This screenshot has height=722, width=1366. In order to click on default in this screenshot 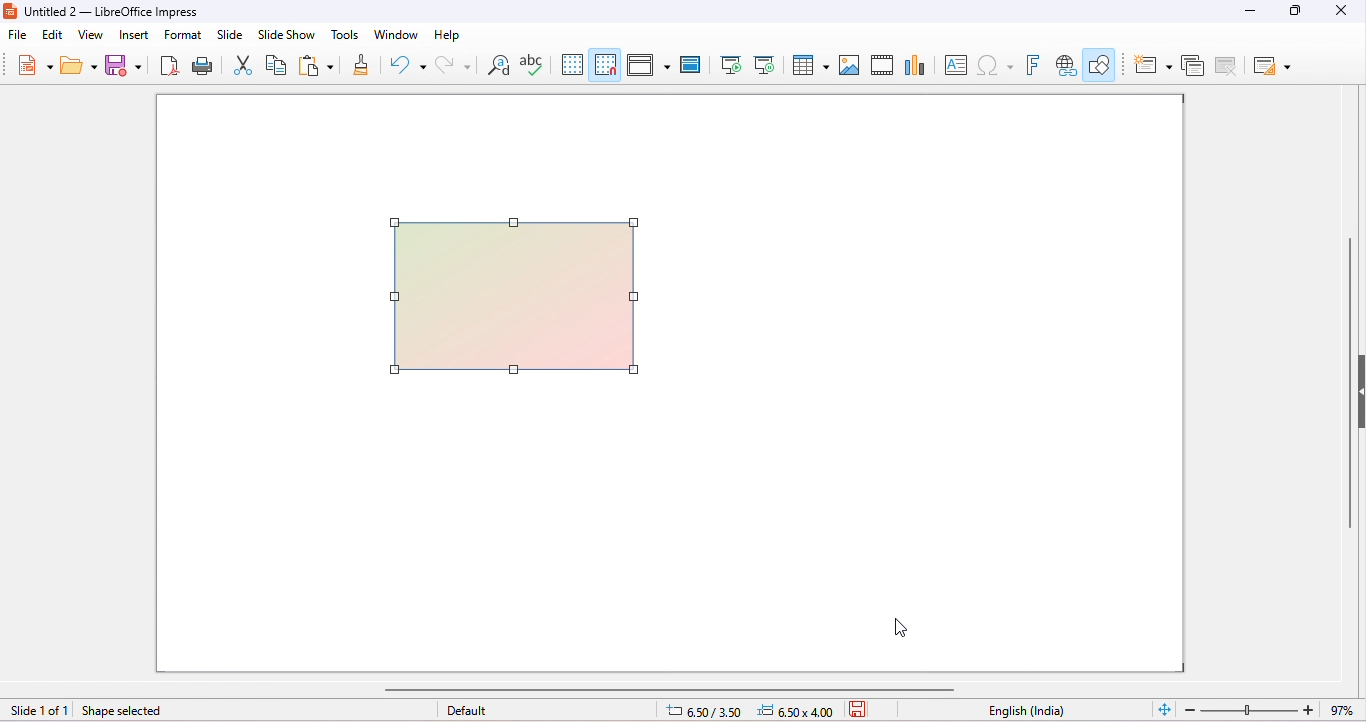, I will do `click(468, 710)`.